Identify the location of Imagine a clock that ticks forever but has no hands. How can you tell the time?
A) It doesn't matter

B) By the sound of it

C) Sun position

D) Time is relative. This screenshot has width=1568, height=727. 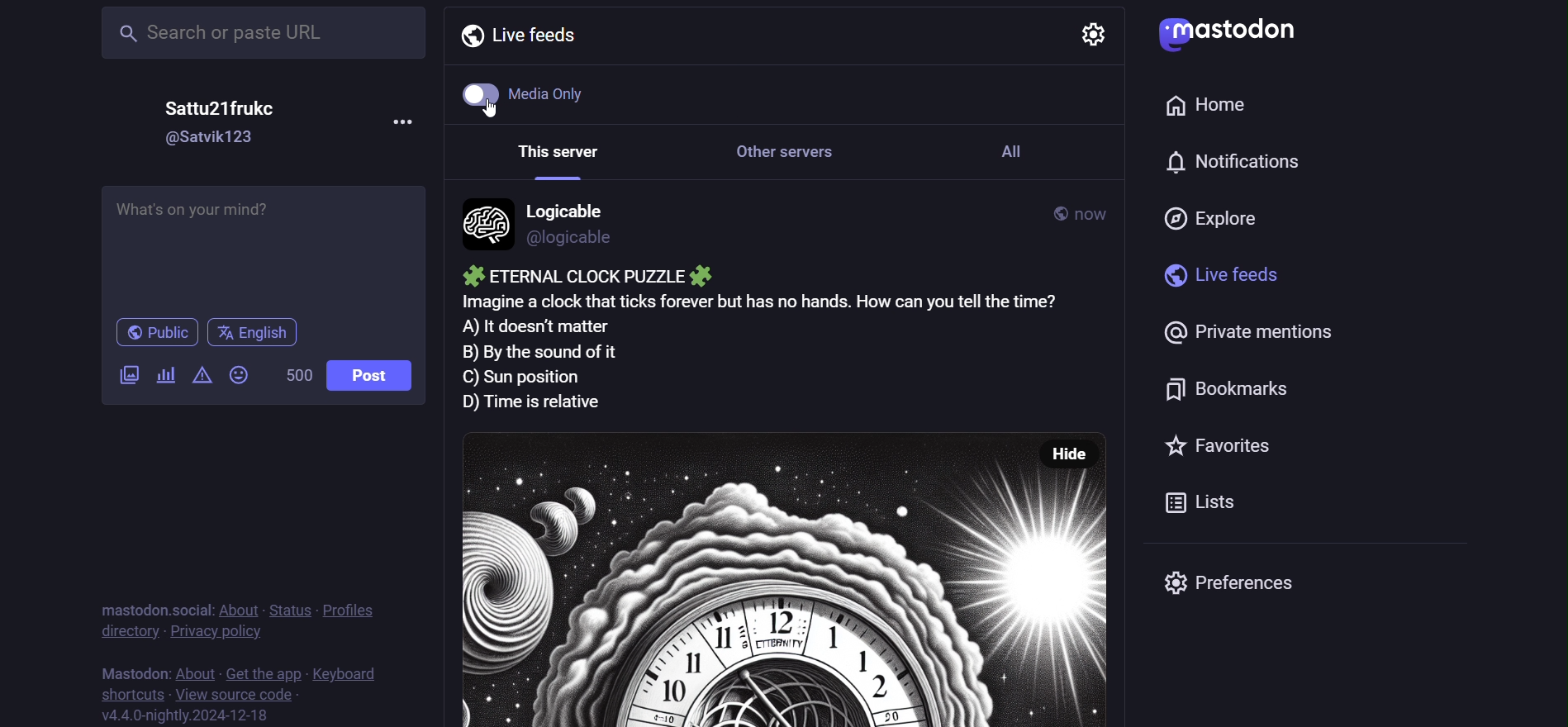
(786, 351).